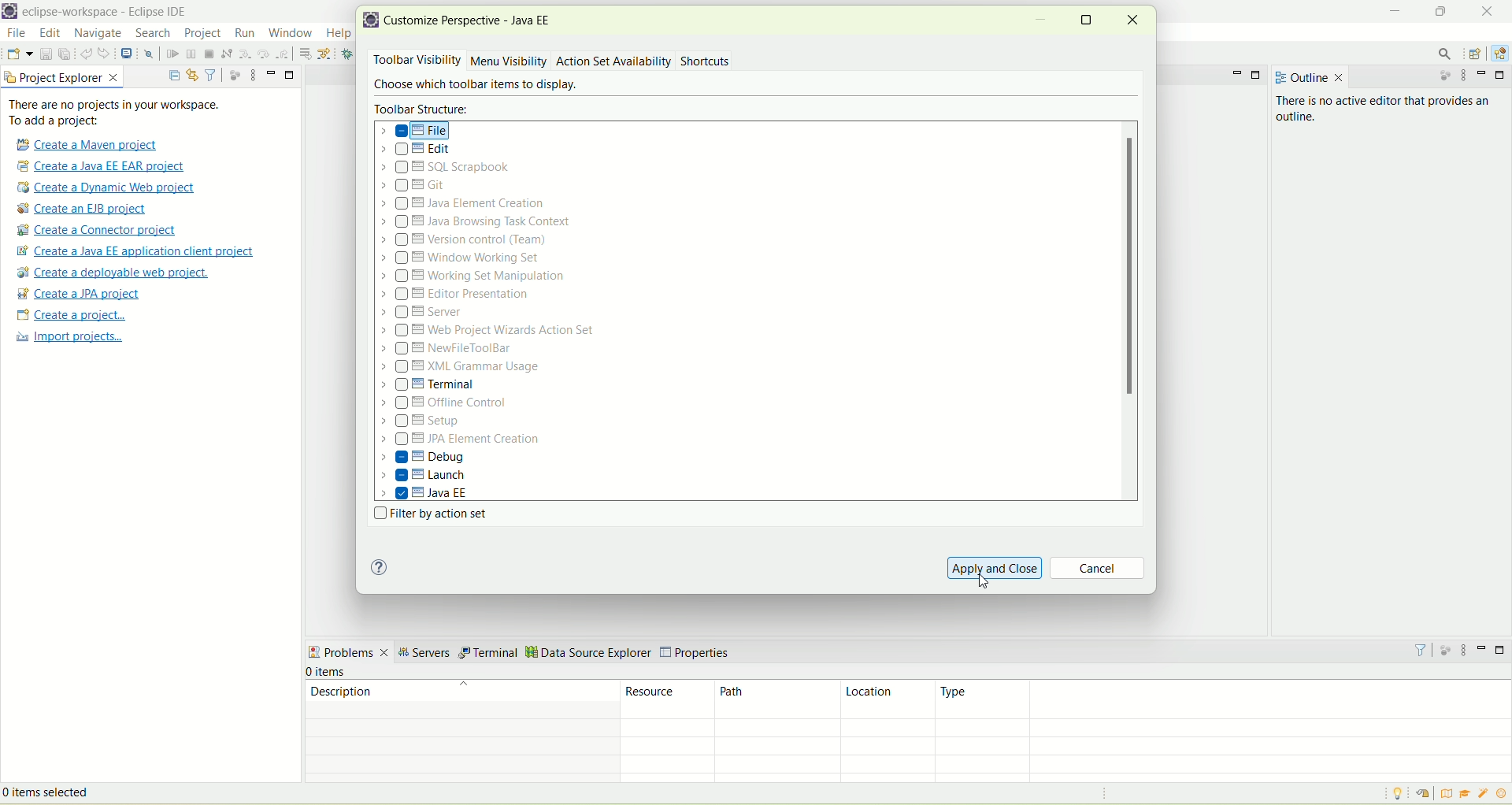 The height and width of the screenshot is (805, 1512). I want to click on restore welcome, so click(1429, 795).